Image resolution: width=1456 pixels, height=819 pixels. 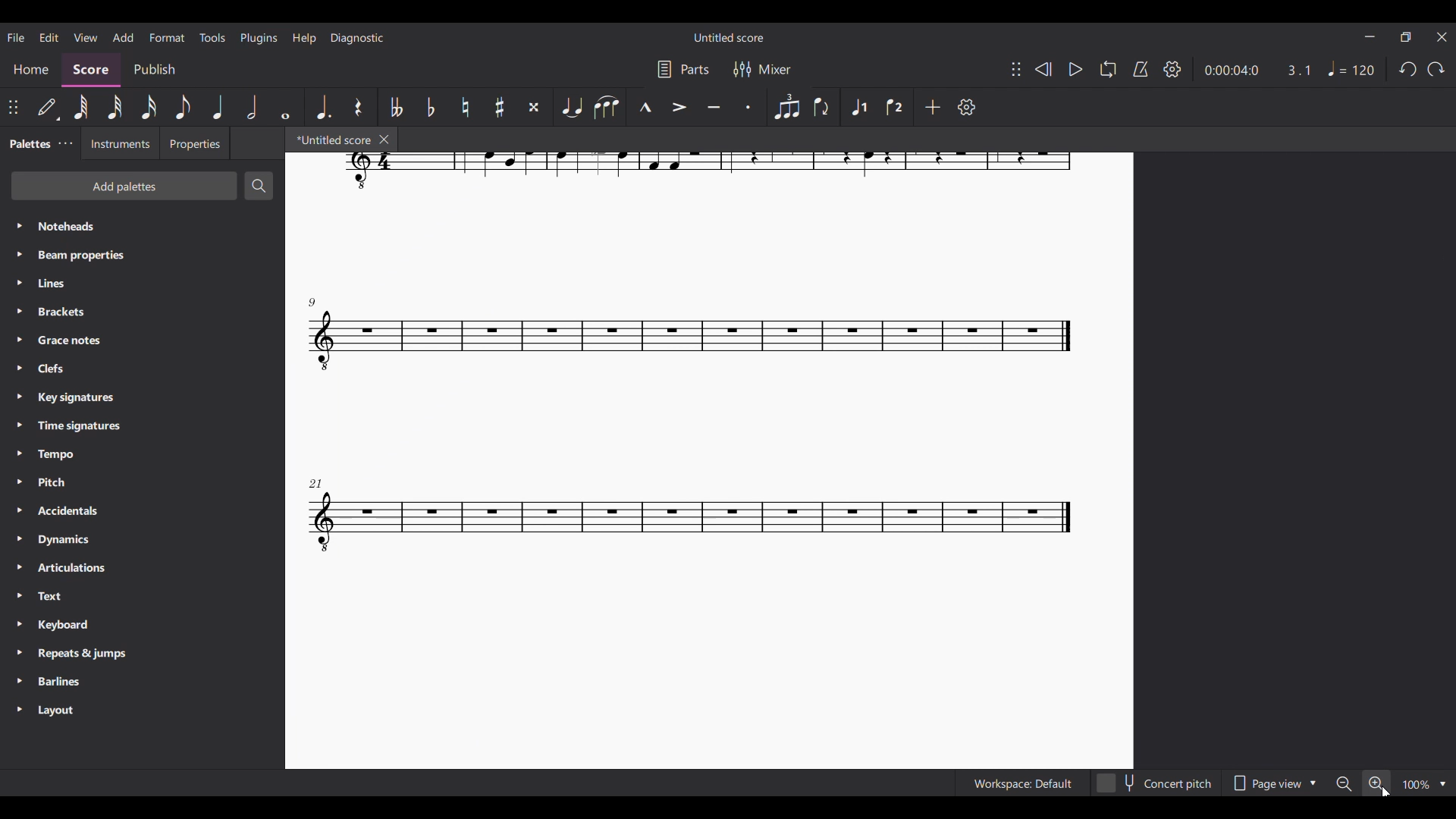 I want to click on Quarter note, so click(x=218, y=108).